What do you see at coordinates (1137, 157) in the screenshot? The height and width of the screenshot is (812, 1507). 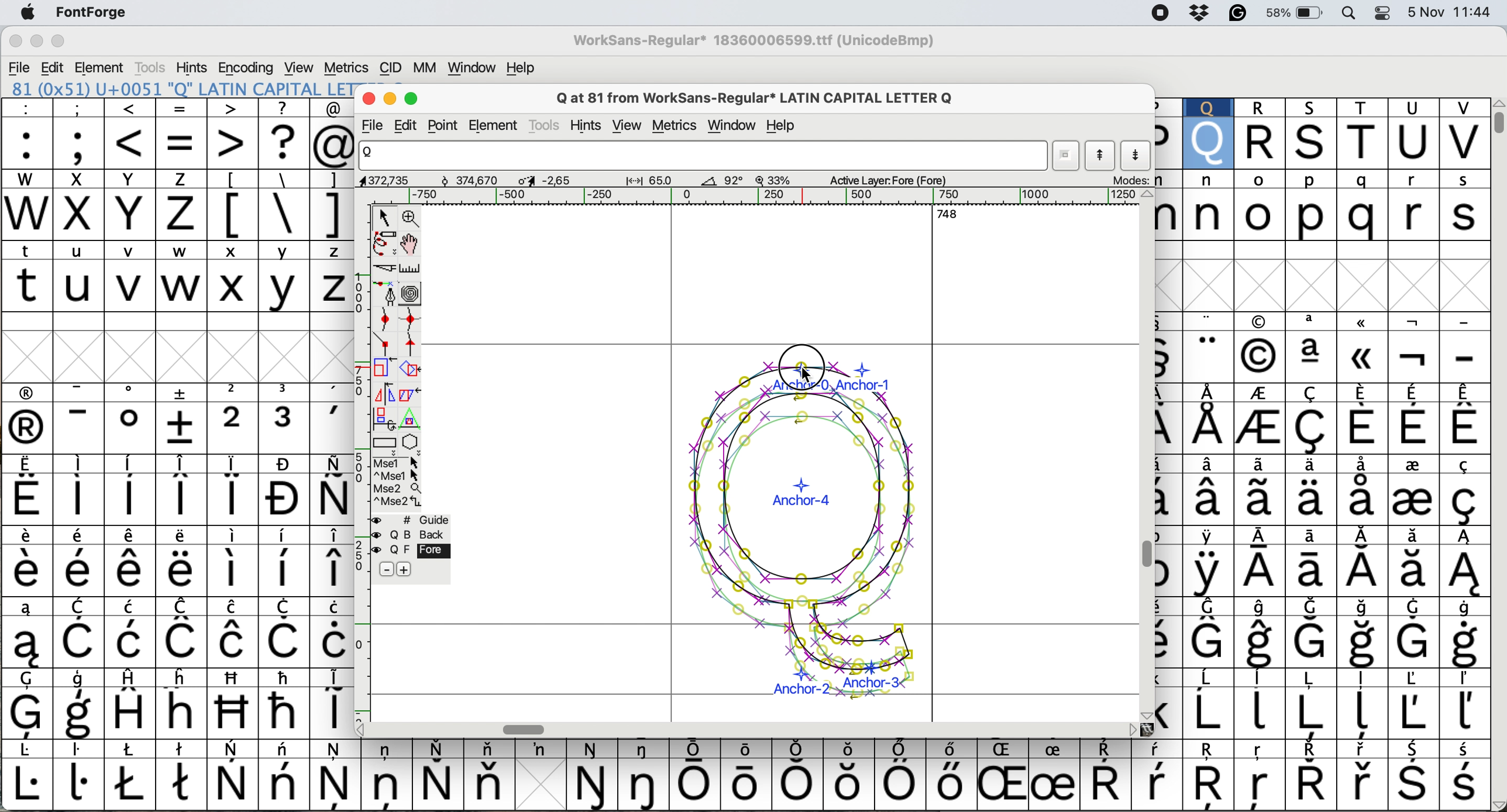 I see `show next letter` at bounding box center [1137, 157].